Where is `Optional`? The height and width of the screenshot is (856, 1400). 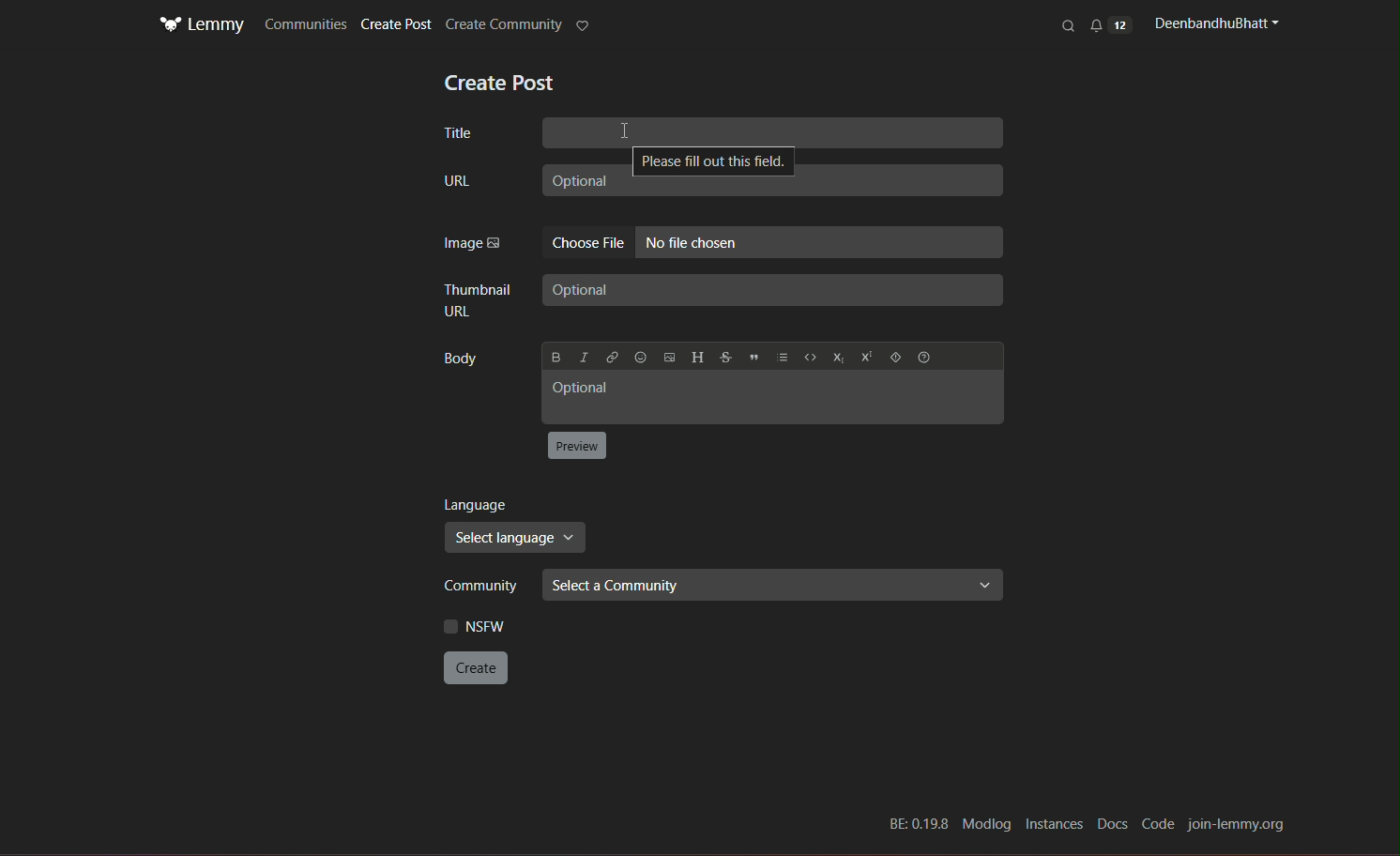 Optional is located at coordinates (771, 186).